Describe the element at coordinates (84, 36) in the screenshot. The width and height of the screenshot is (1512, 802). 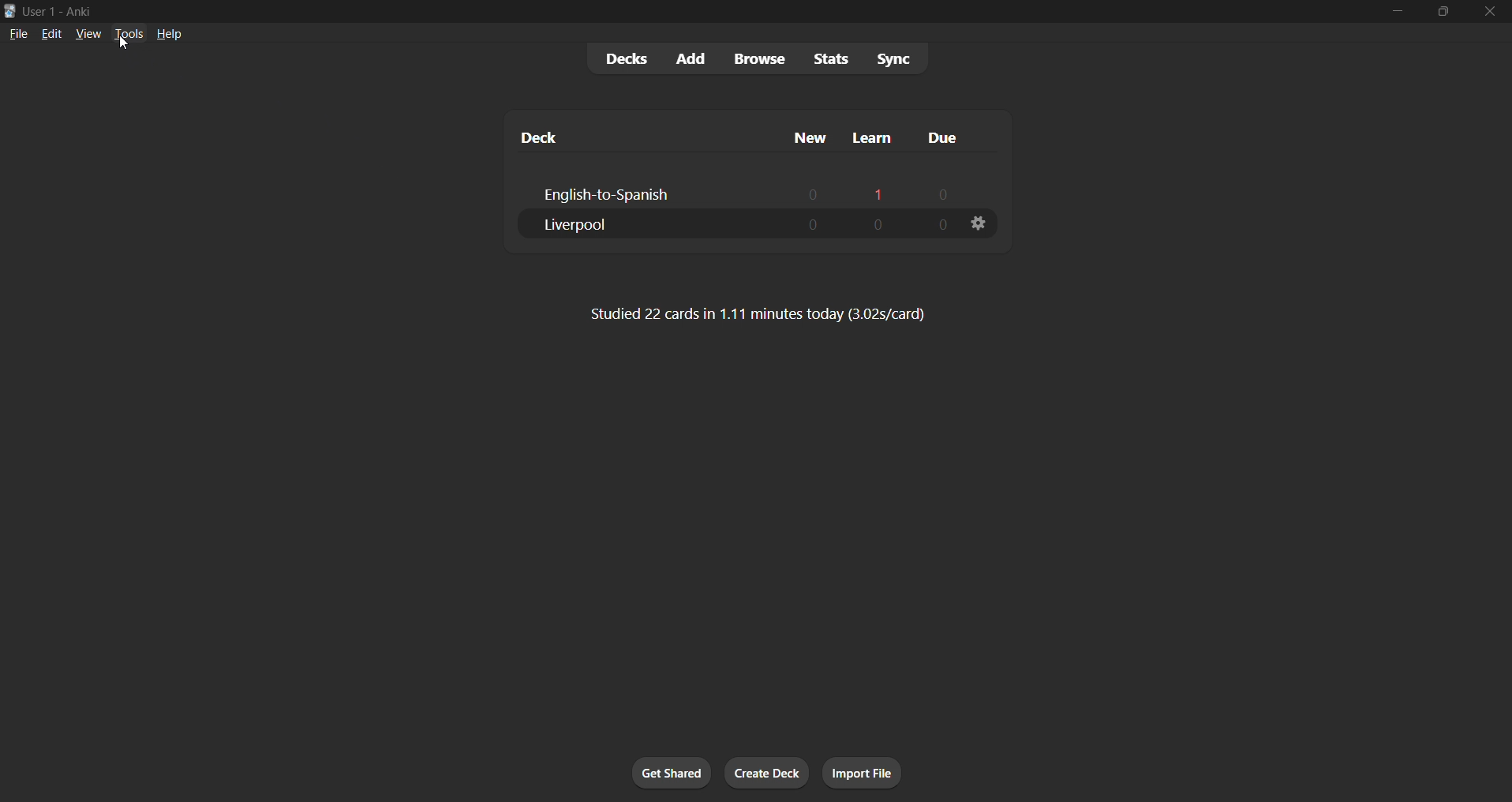
I see `view` at that location.